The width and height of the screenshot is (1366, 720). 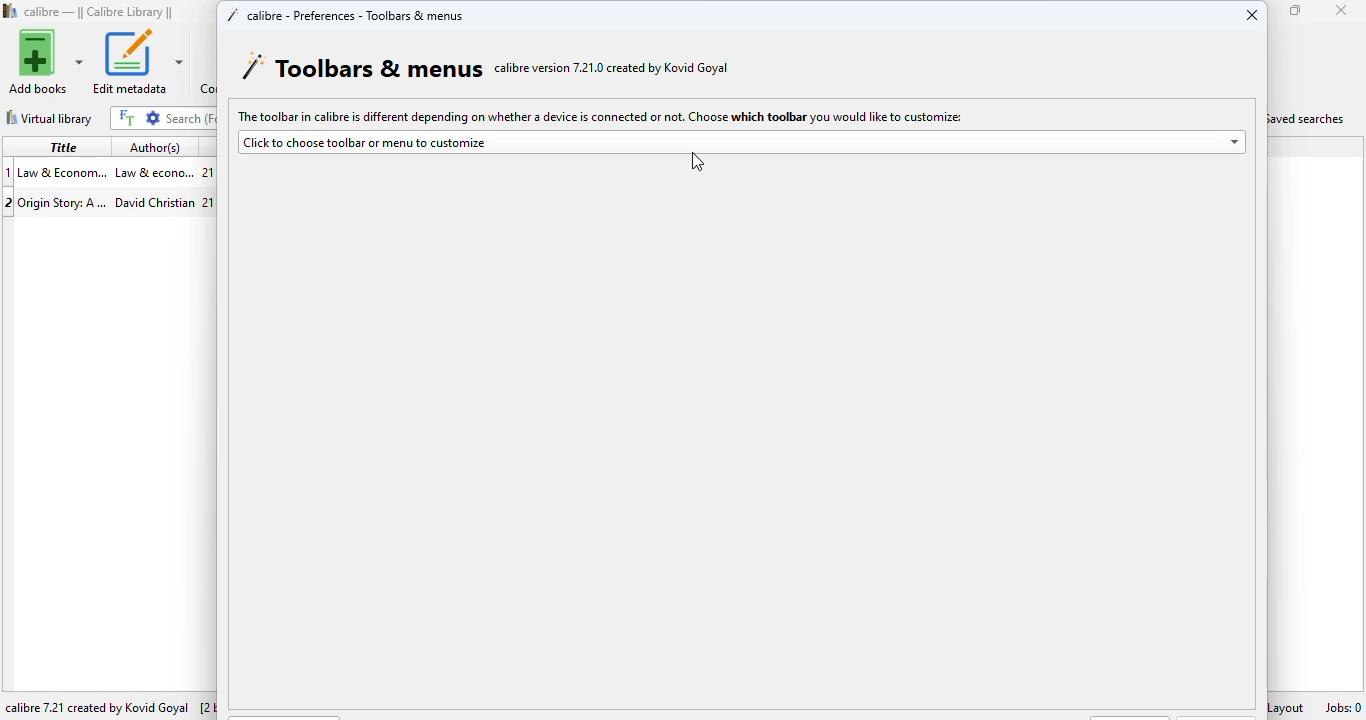 What do you see at coordinates (63, 146) in the screenshot?
I see `title` at bounding box center [63, 146].